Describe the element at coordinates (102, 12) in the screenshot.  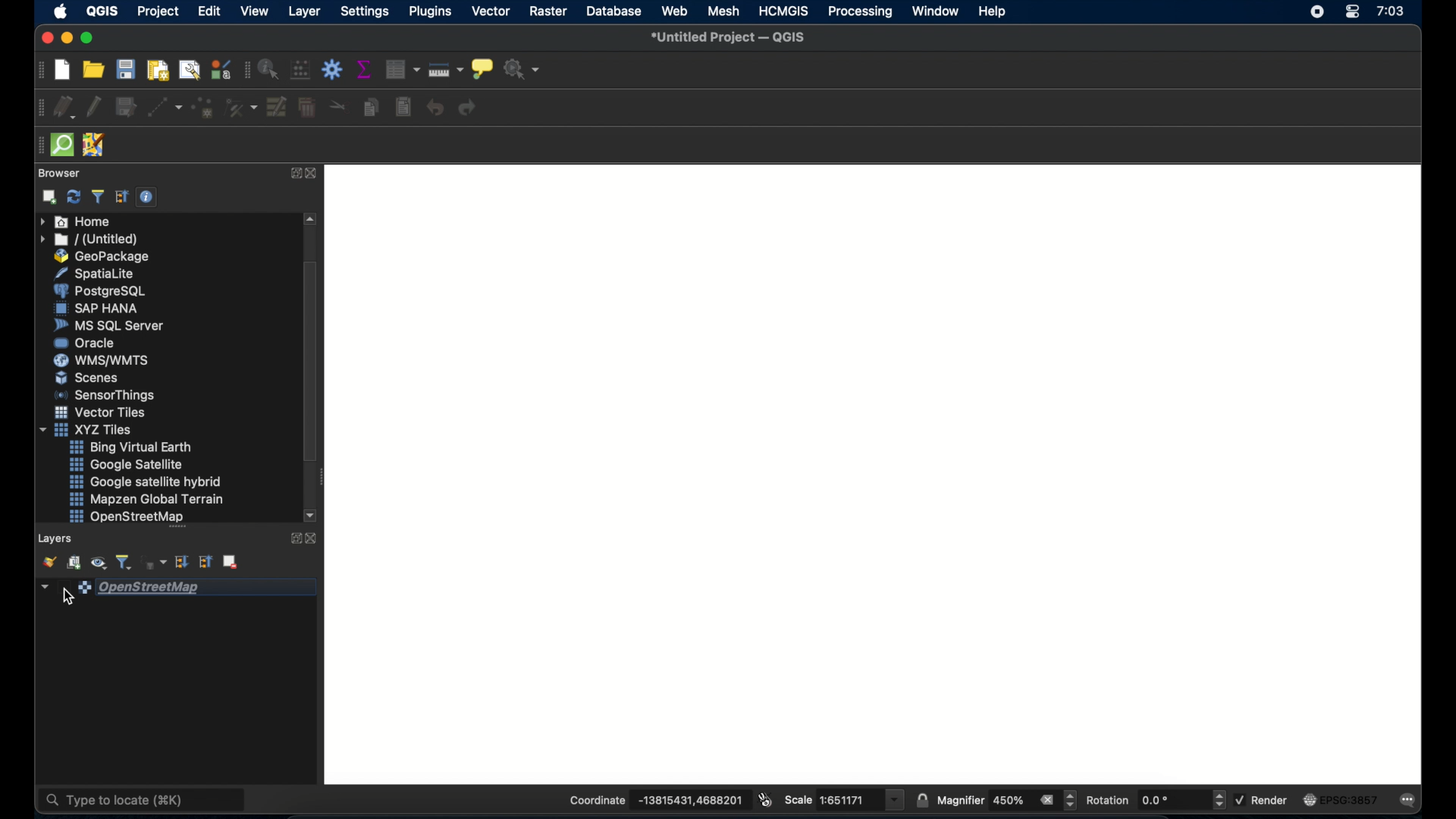
I see `QGIS` at that location.